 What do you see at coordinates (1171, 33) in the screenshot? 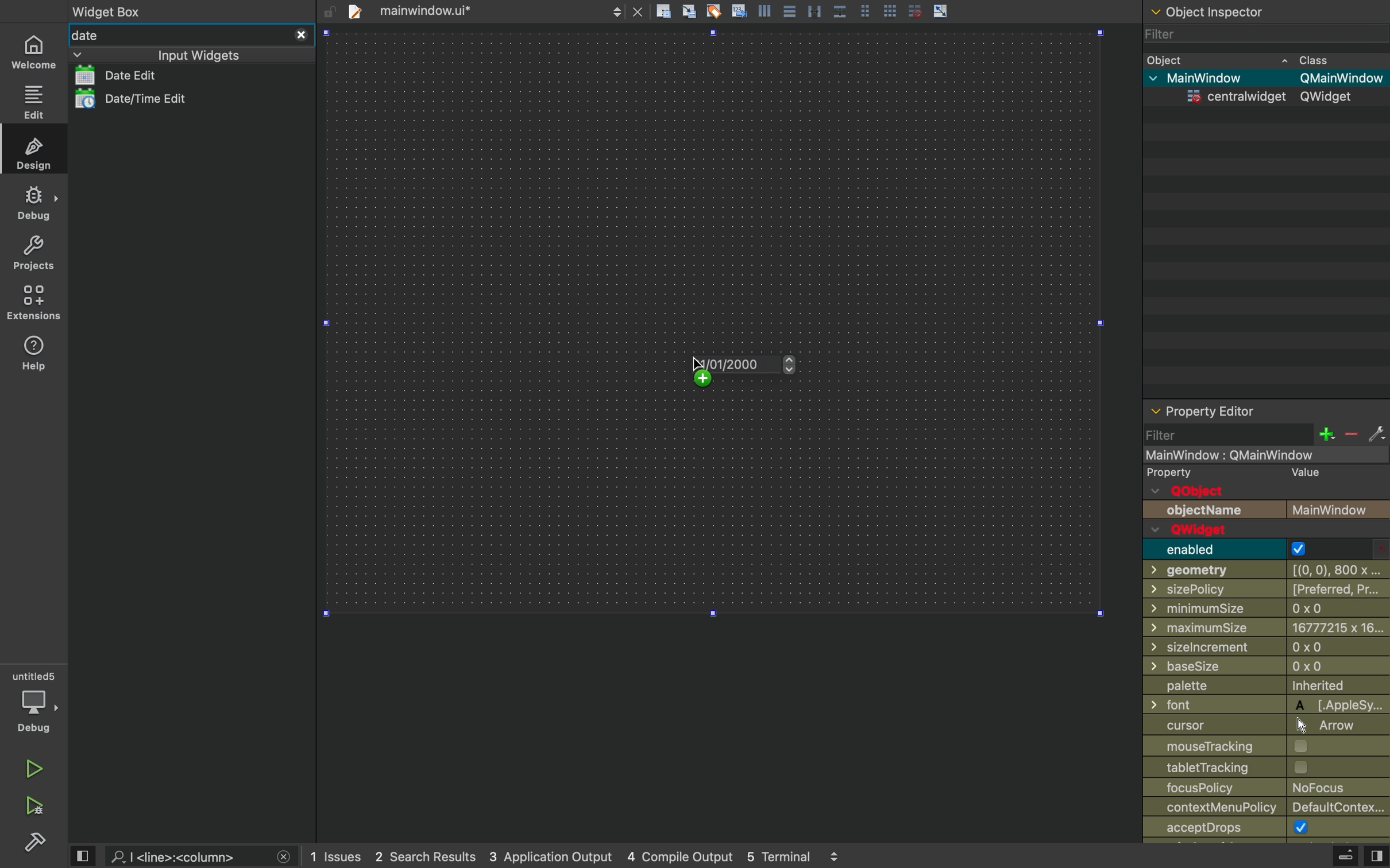
I see `filter` at bounding box center [1171, 33].